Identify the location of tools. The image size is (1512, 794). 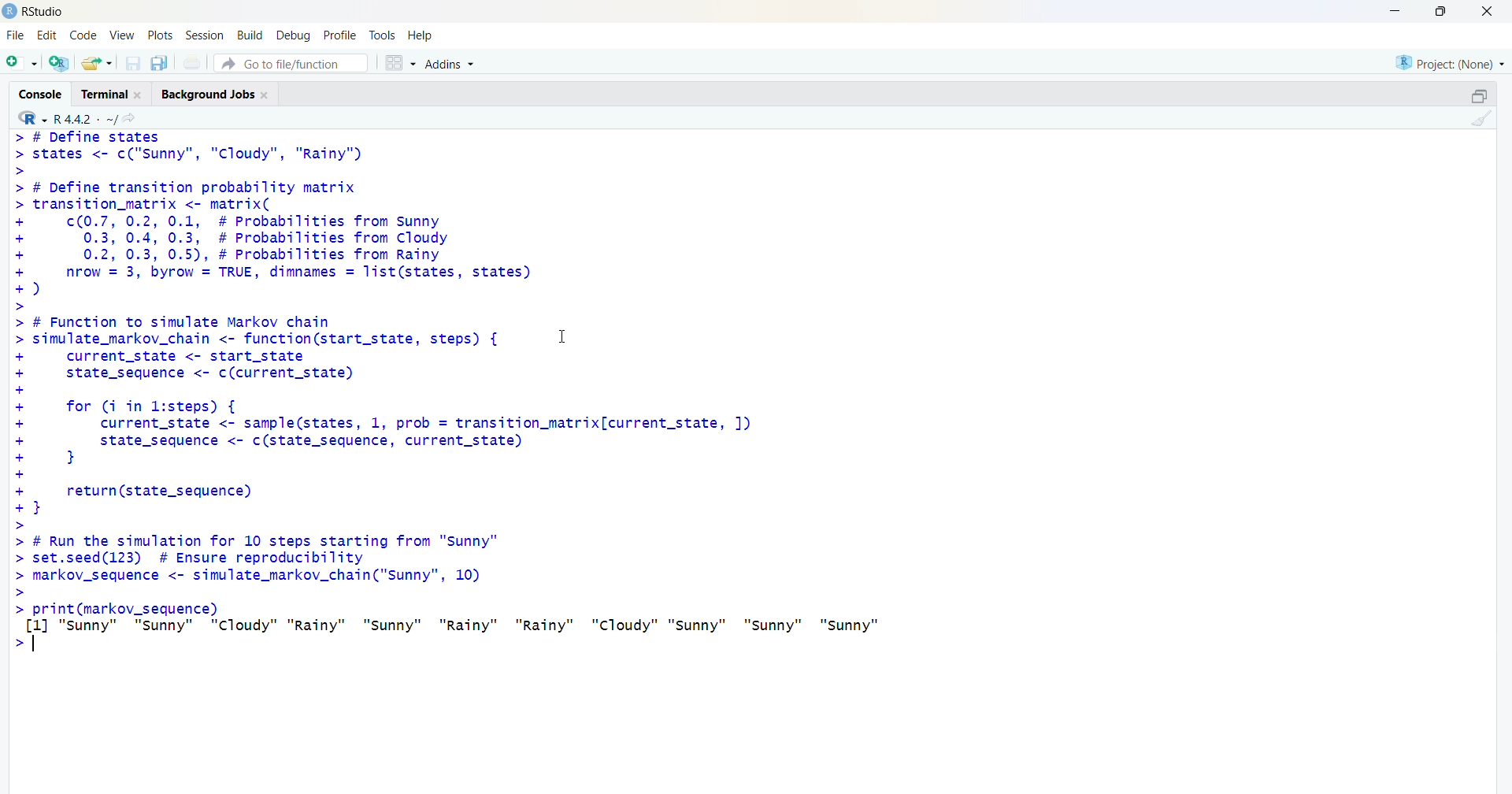
(384, 33).